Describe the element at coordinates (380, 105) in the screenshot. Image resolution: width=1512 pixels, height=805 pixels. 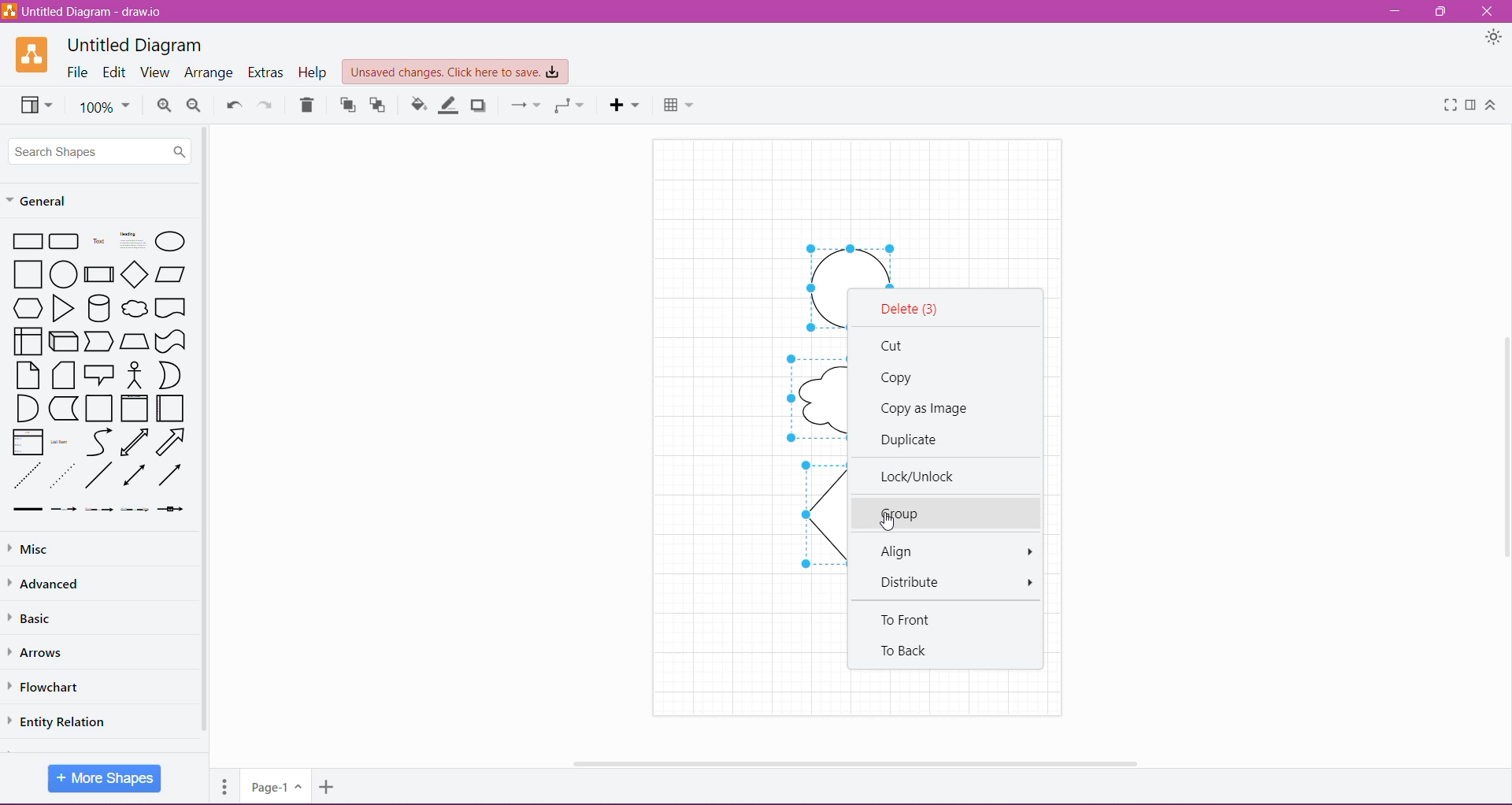
I see `To Back` at that location.